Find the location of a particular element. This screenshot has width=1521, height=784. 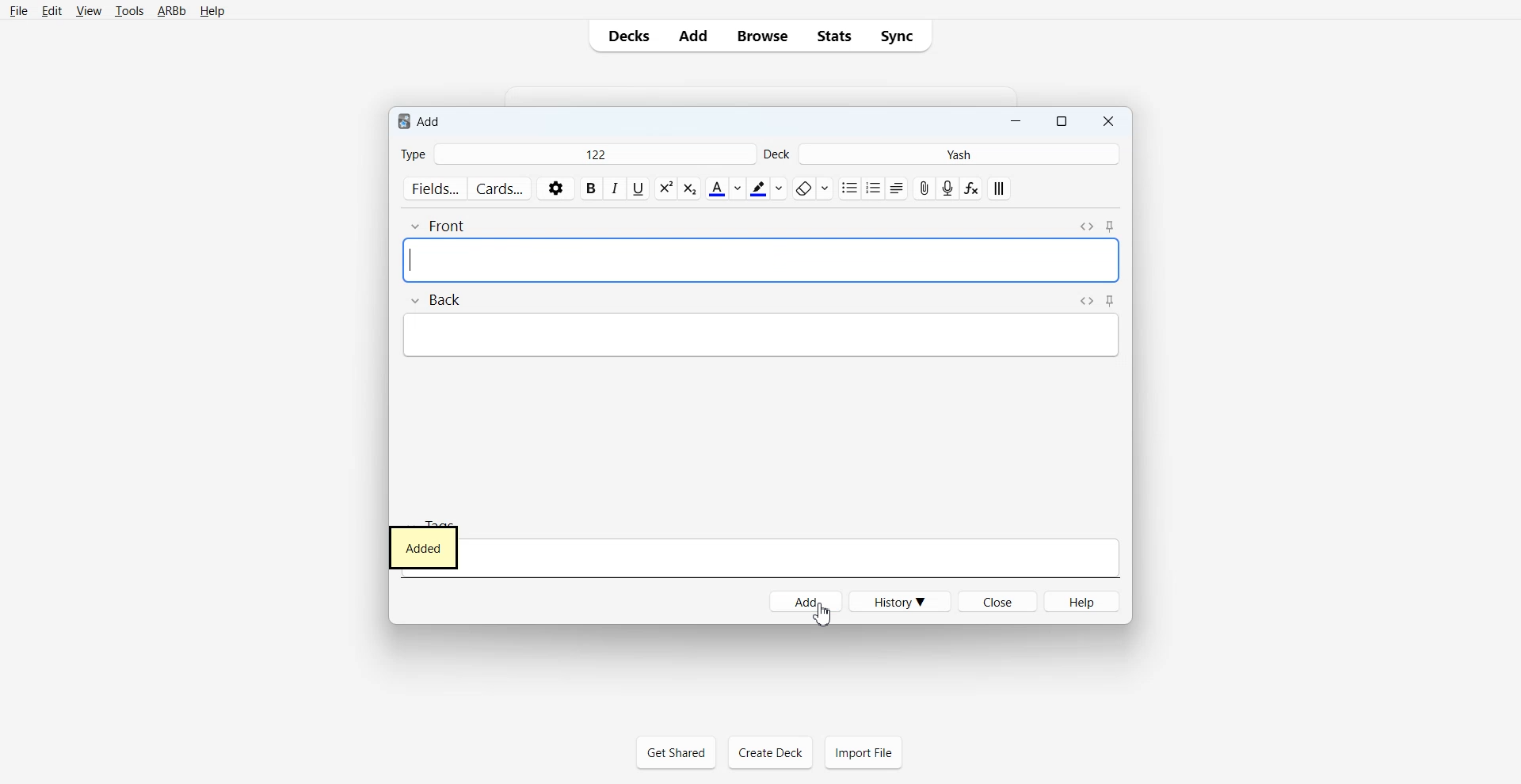

Get Shared is located at coordinates (676, 752).